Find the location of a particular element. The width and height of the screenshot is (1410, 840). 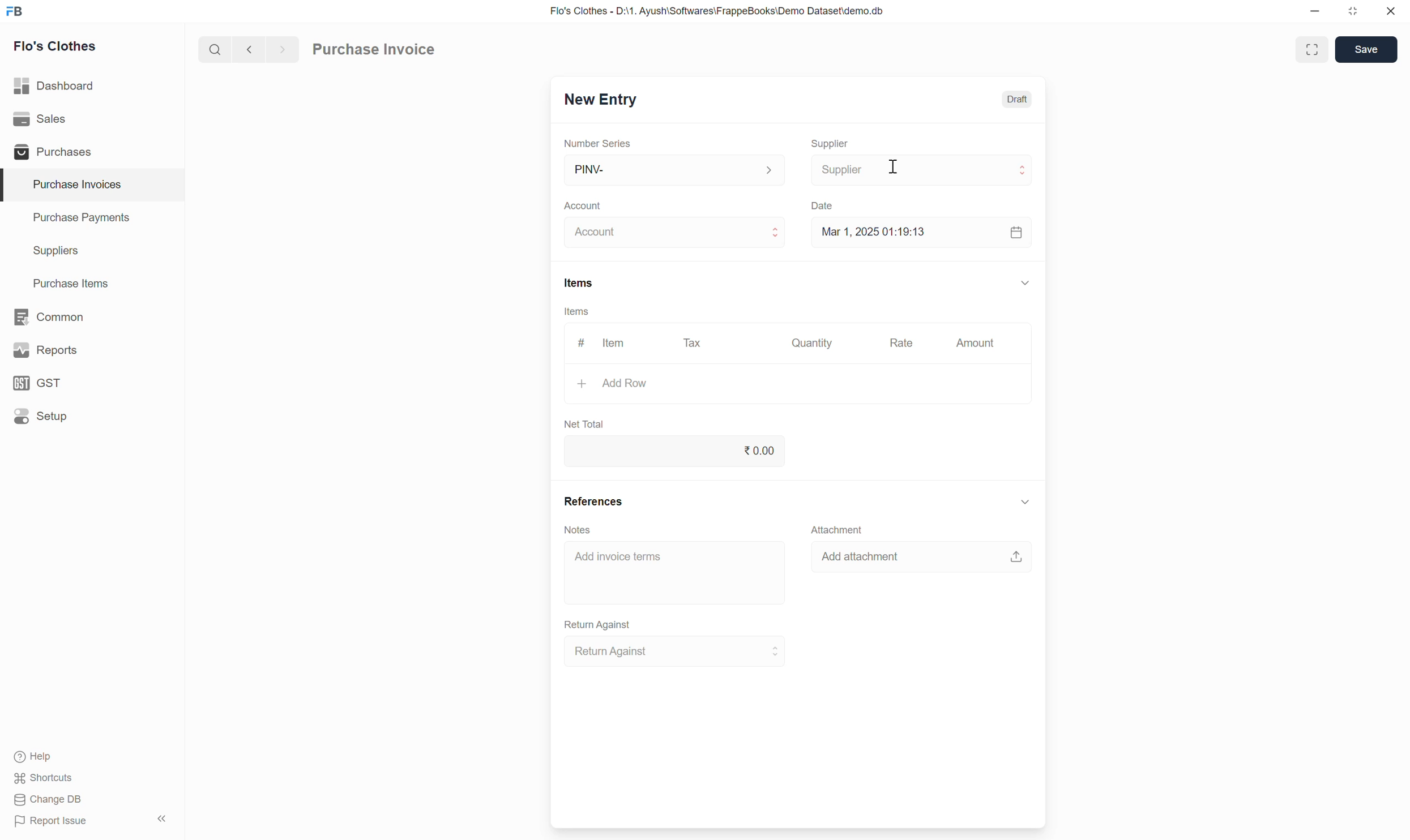

Suppliers is located at coordinates (48, 251).